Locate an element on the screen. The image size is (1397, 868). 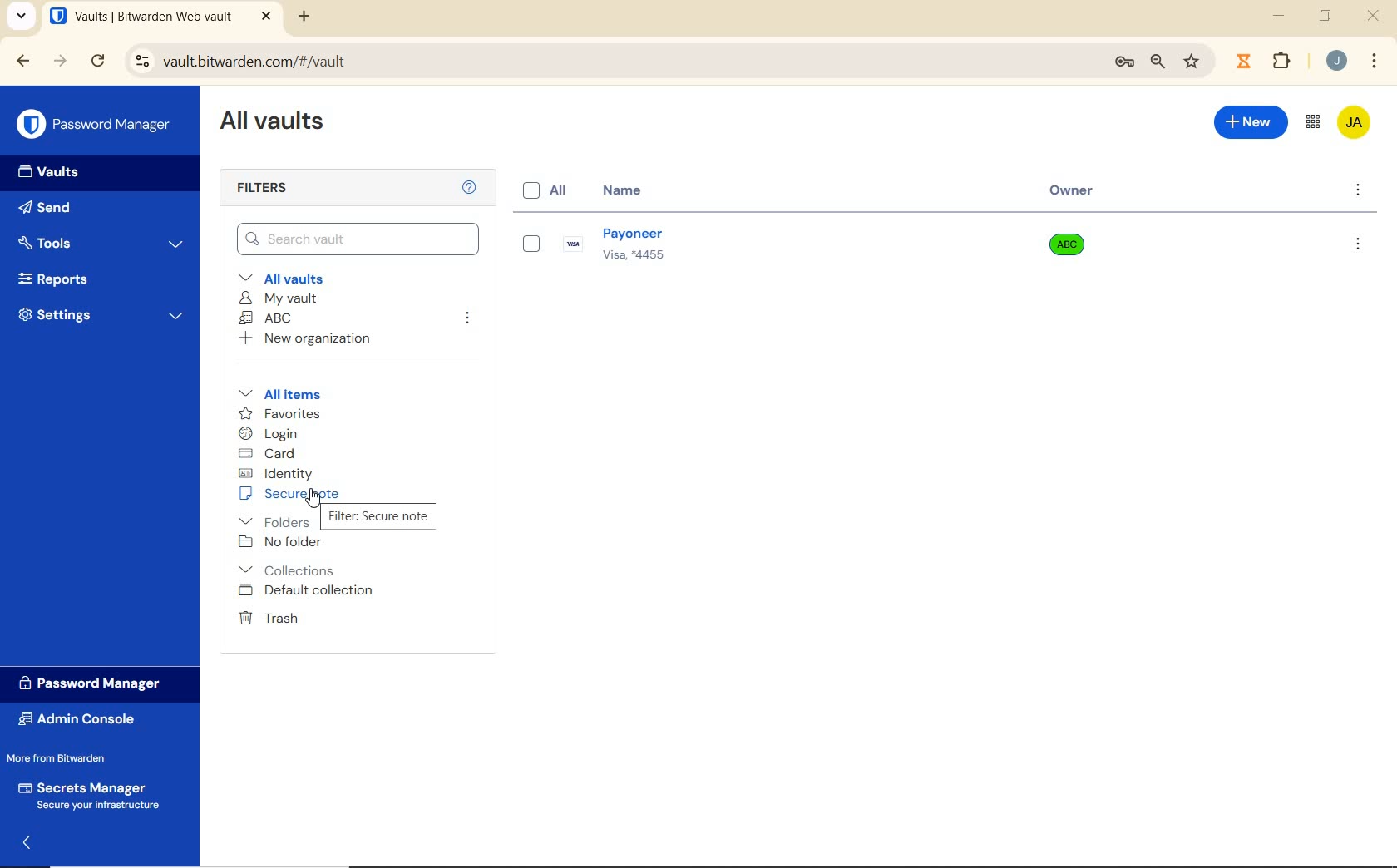
Trash is located at coordinates (268, 618).